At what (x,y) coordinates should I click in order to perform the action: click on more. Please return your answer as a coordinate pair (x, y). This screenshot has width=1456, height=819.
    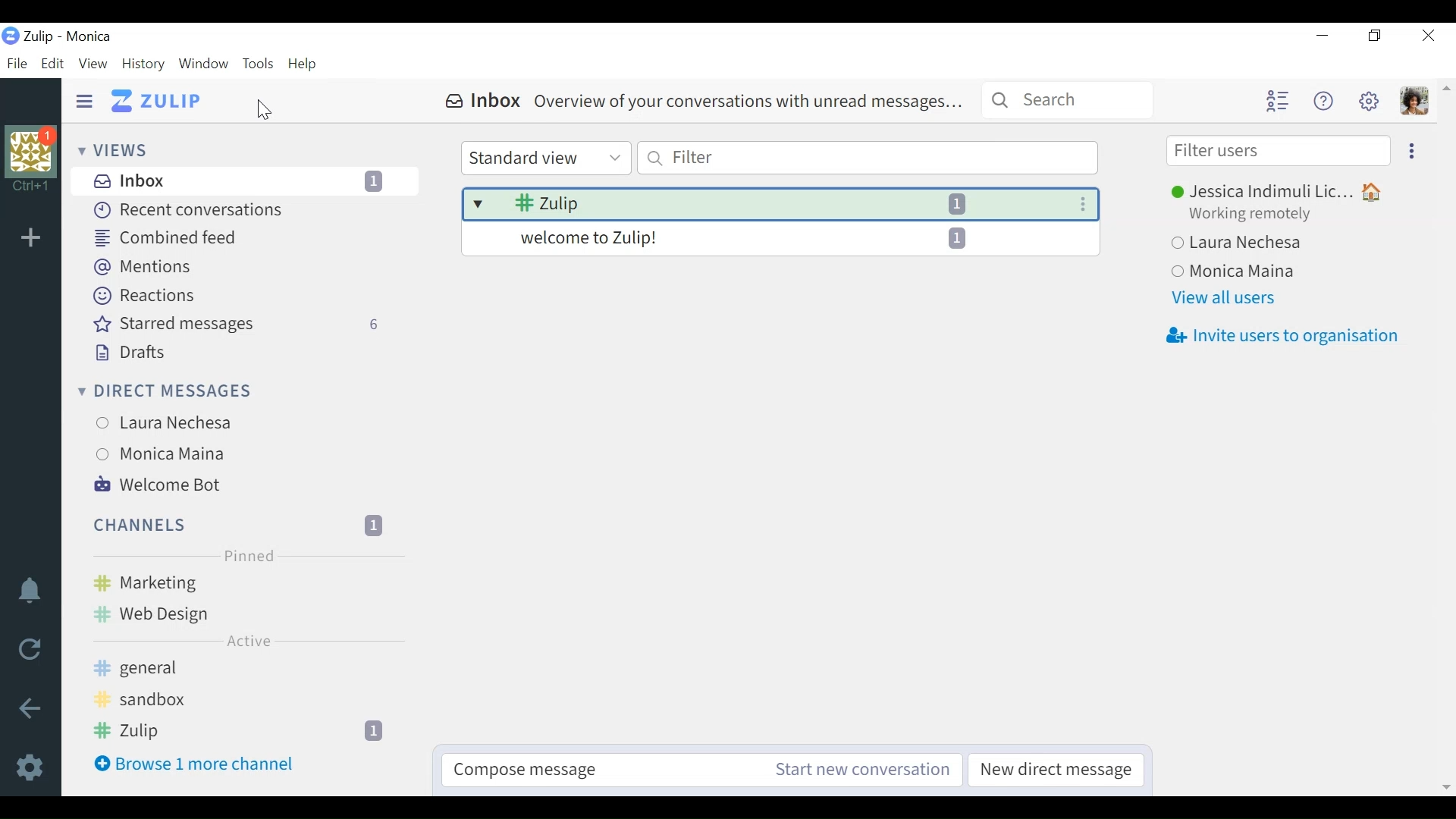
    Looking at the image, I should click on (1416, 152).